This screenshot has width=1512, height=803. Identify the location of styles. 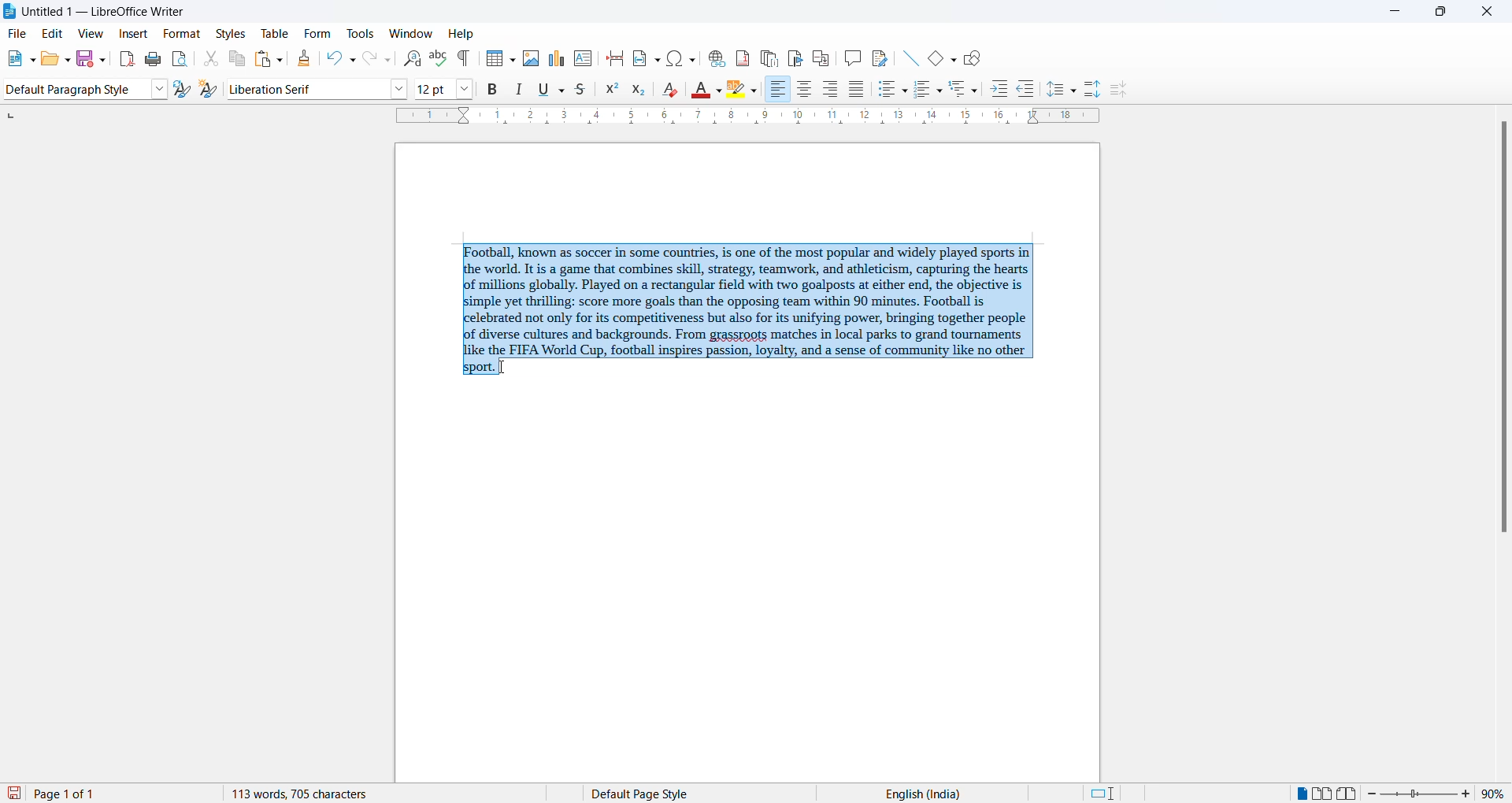
(231, 34).